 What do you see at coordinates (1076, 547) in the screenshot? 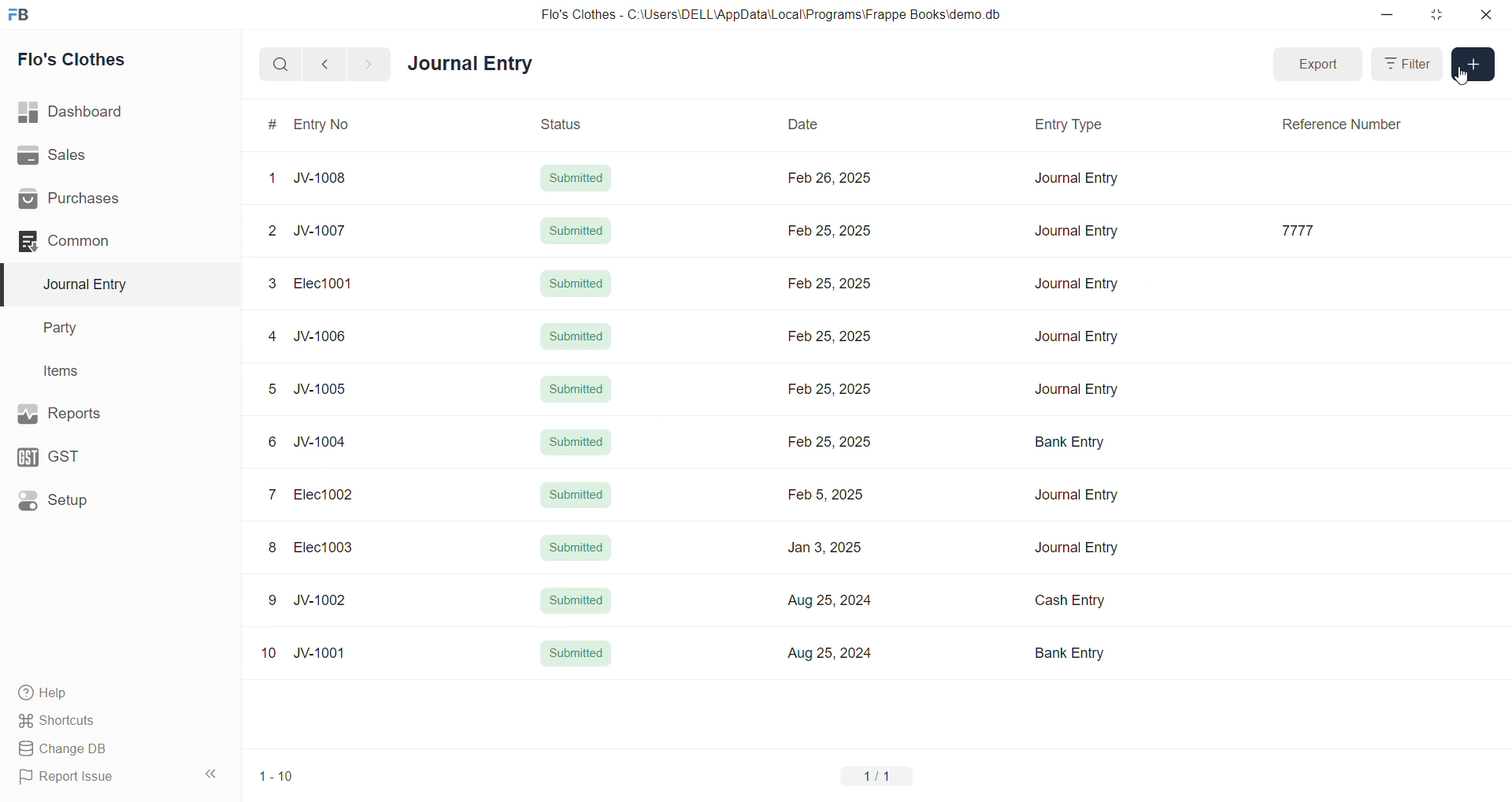
I see `Journal Entry` at bounding box center [1076, 547].